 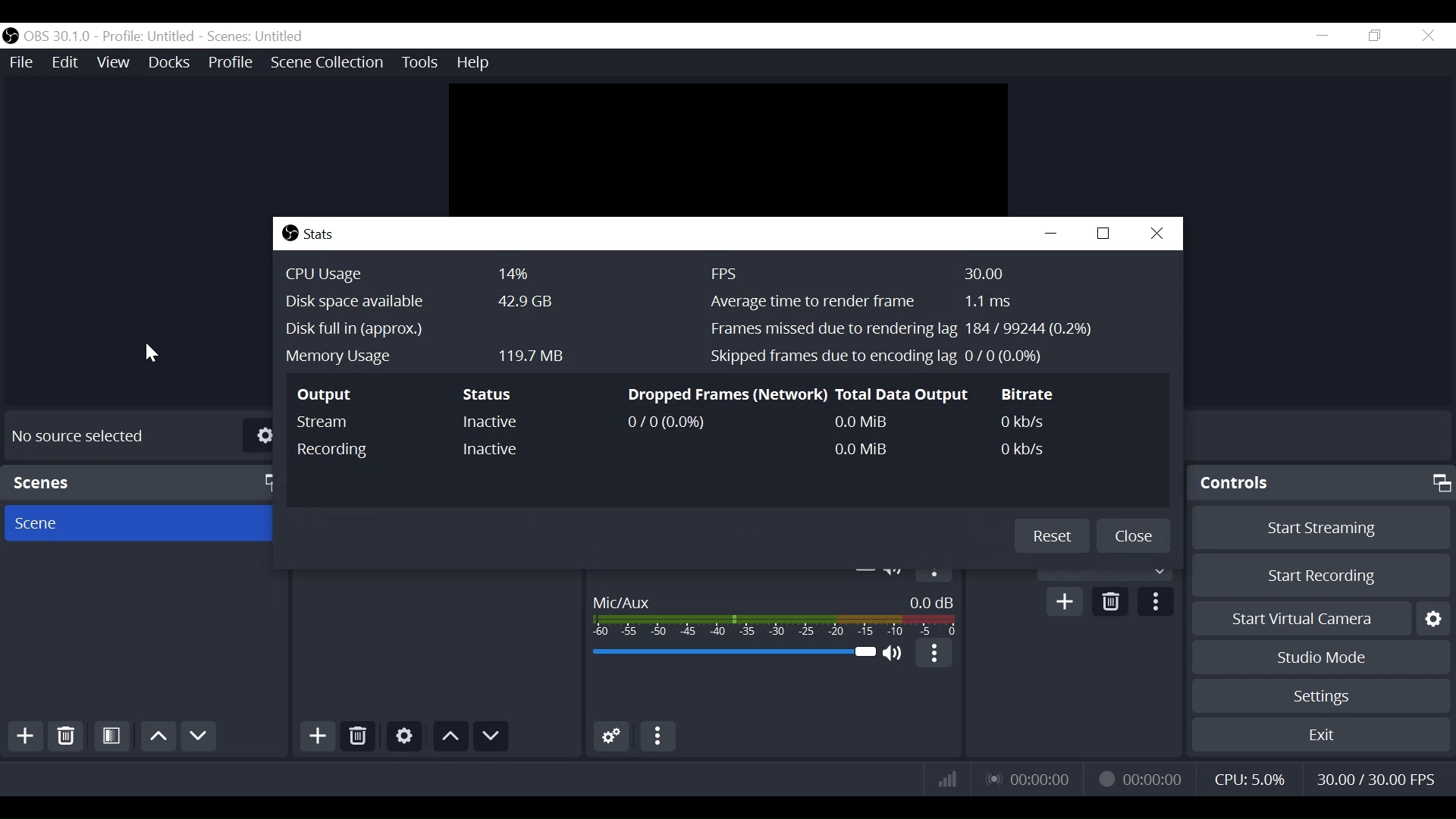 I want to click on move up, so click(x=158, y=737).